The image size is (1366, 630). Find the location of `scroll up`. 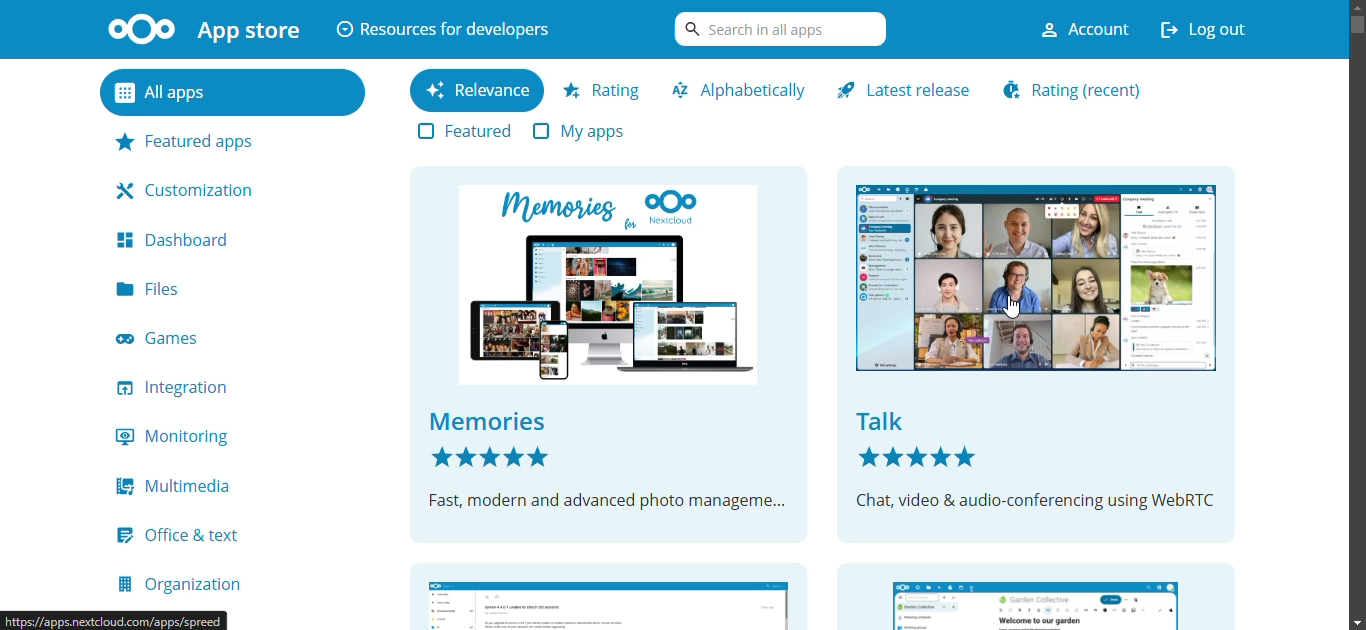

scroll up is located at coordinates (1357, 8).